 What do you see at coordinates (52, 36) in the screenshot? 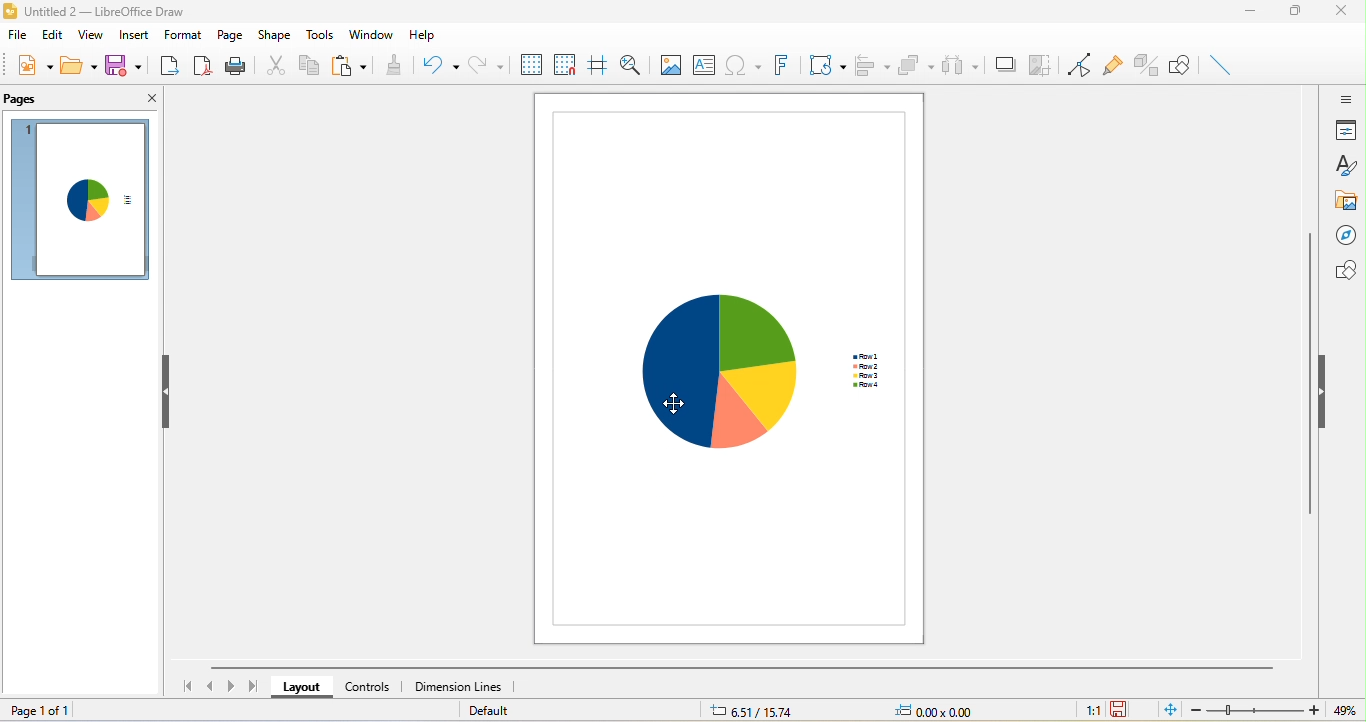
I see `edit` at bounding box center [52, 36].